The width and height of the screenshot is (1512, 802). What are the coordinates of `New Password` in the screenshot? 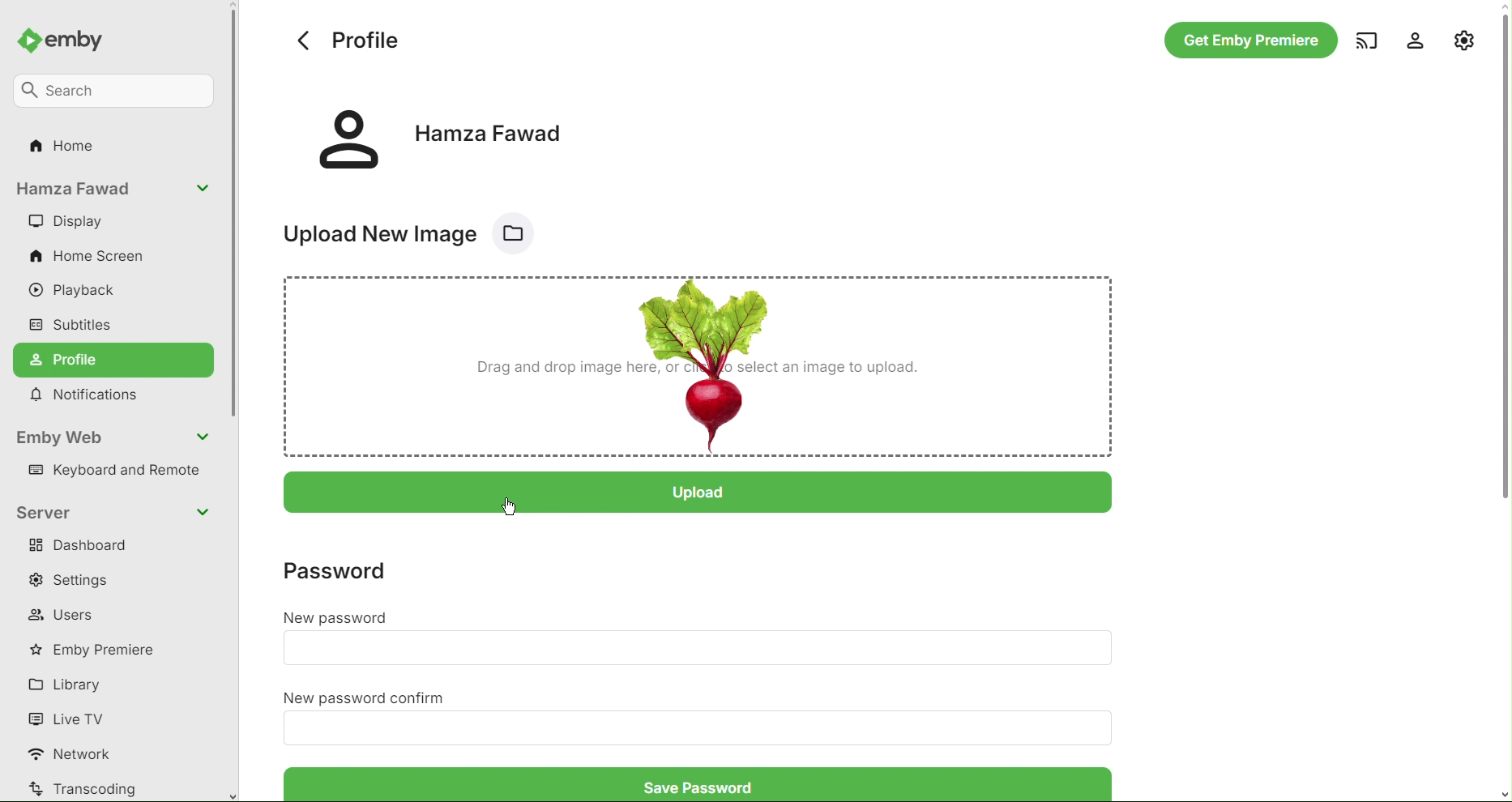 It's located at (337, 619).